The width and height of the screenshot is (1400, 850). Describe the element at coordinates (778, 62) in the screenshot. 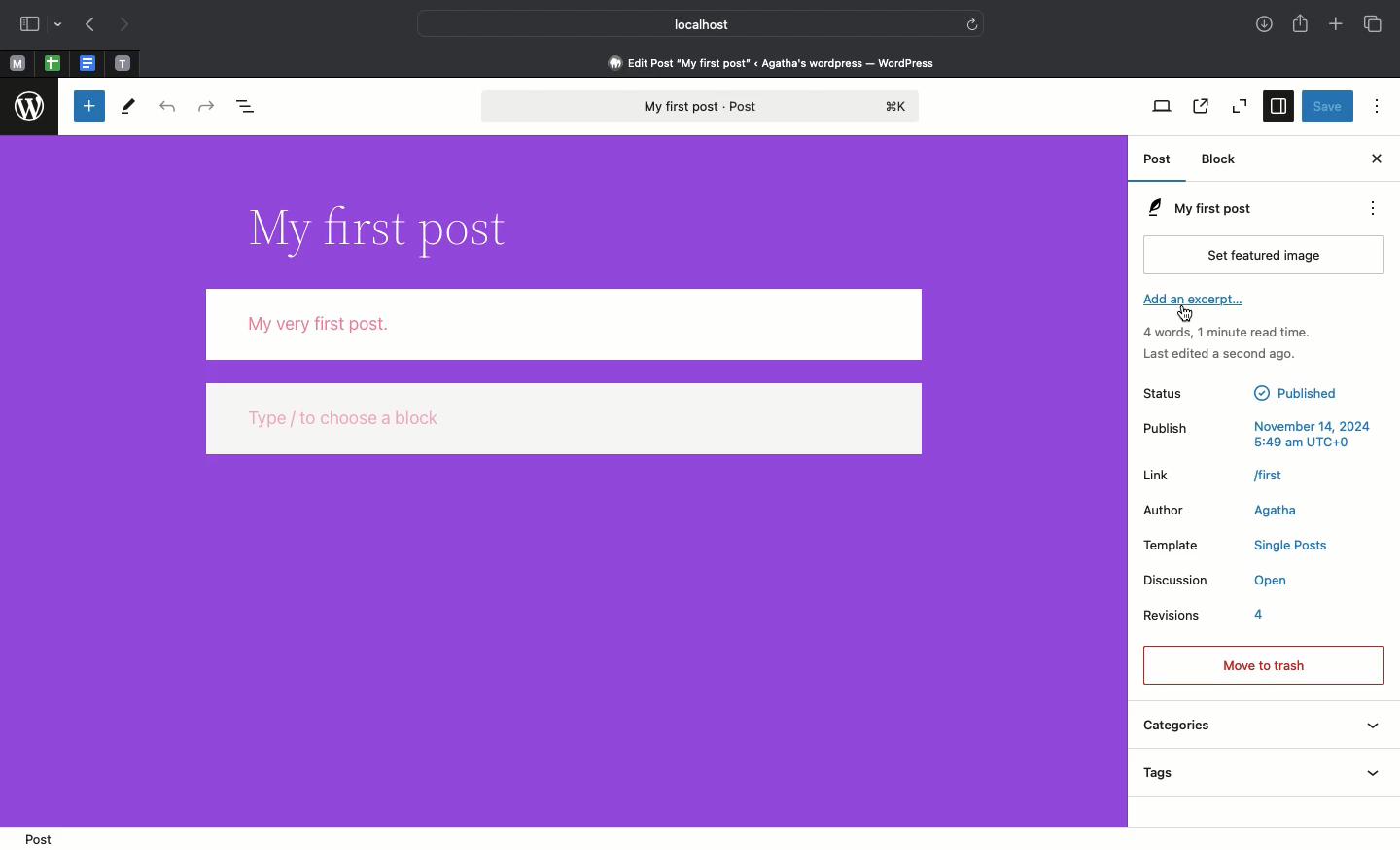

I see `Edit Post "My first post” « Agatha's wordpress — WordPress` at that location.